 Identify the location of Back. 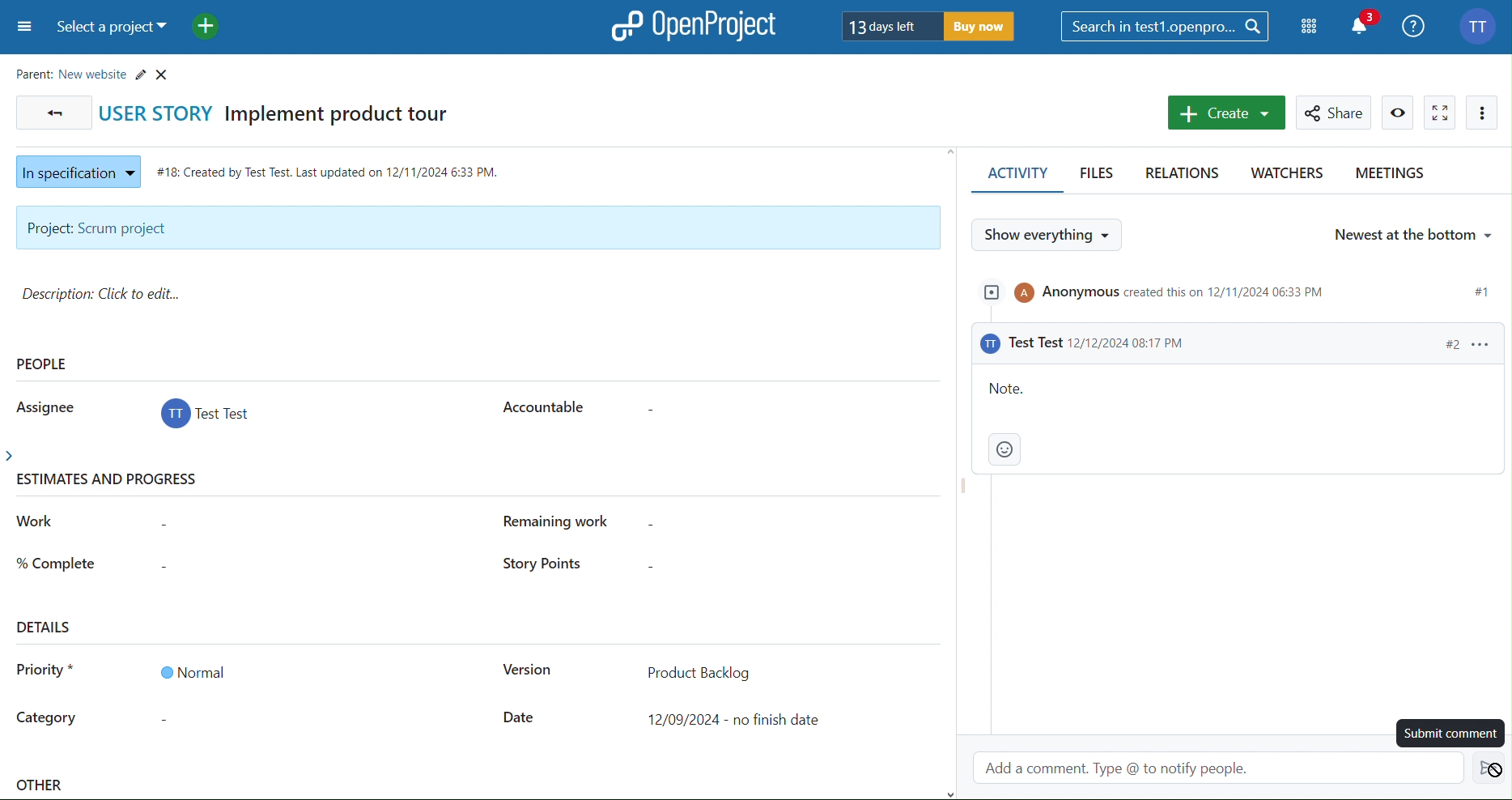
(51, 112).